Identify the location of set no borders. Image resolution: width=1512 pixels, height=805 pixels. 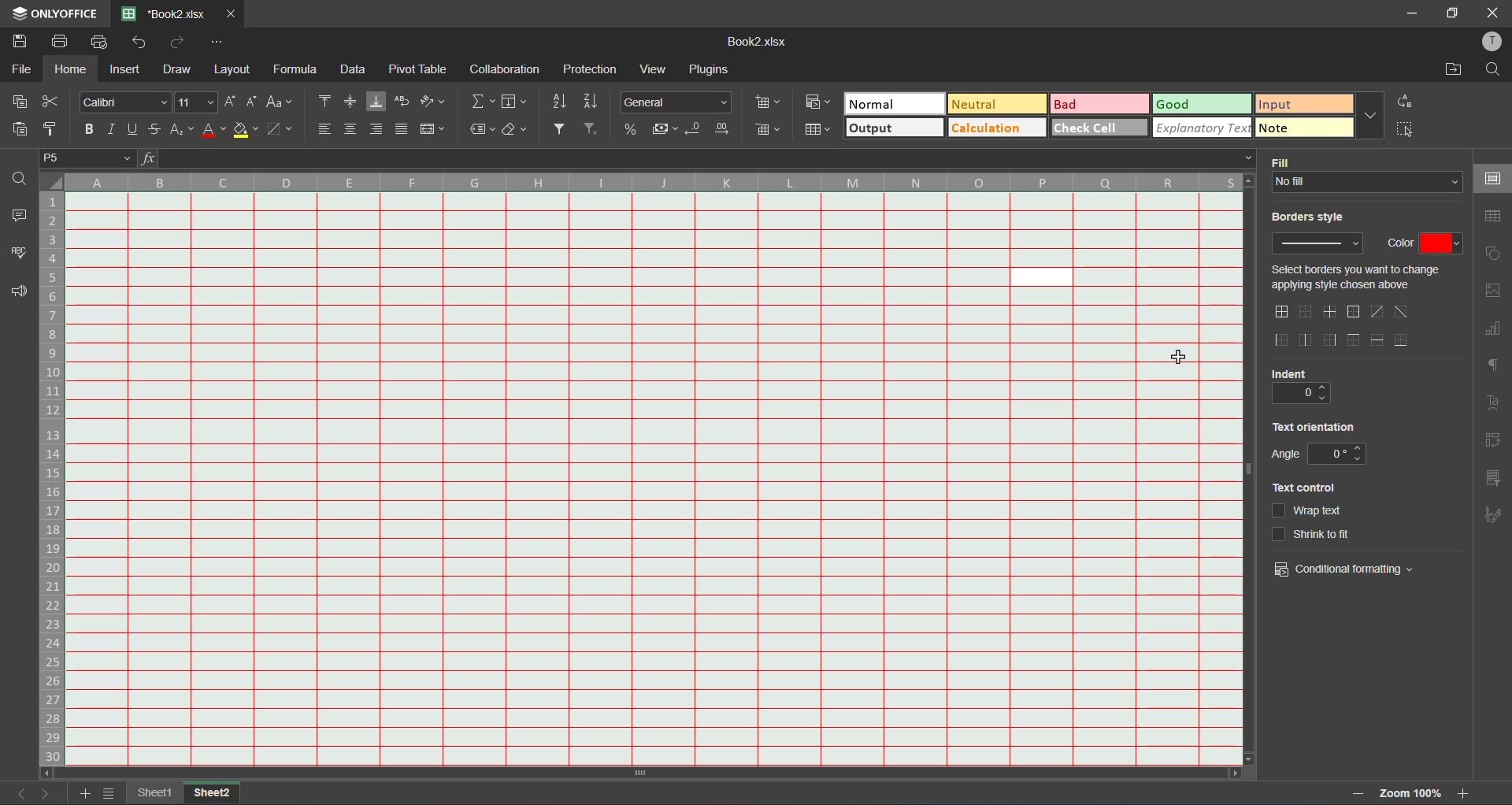
(1308, 313).